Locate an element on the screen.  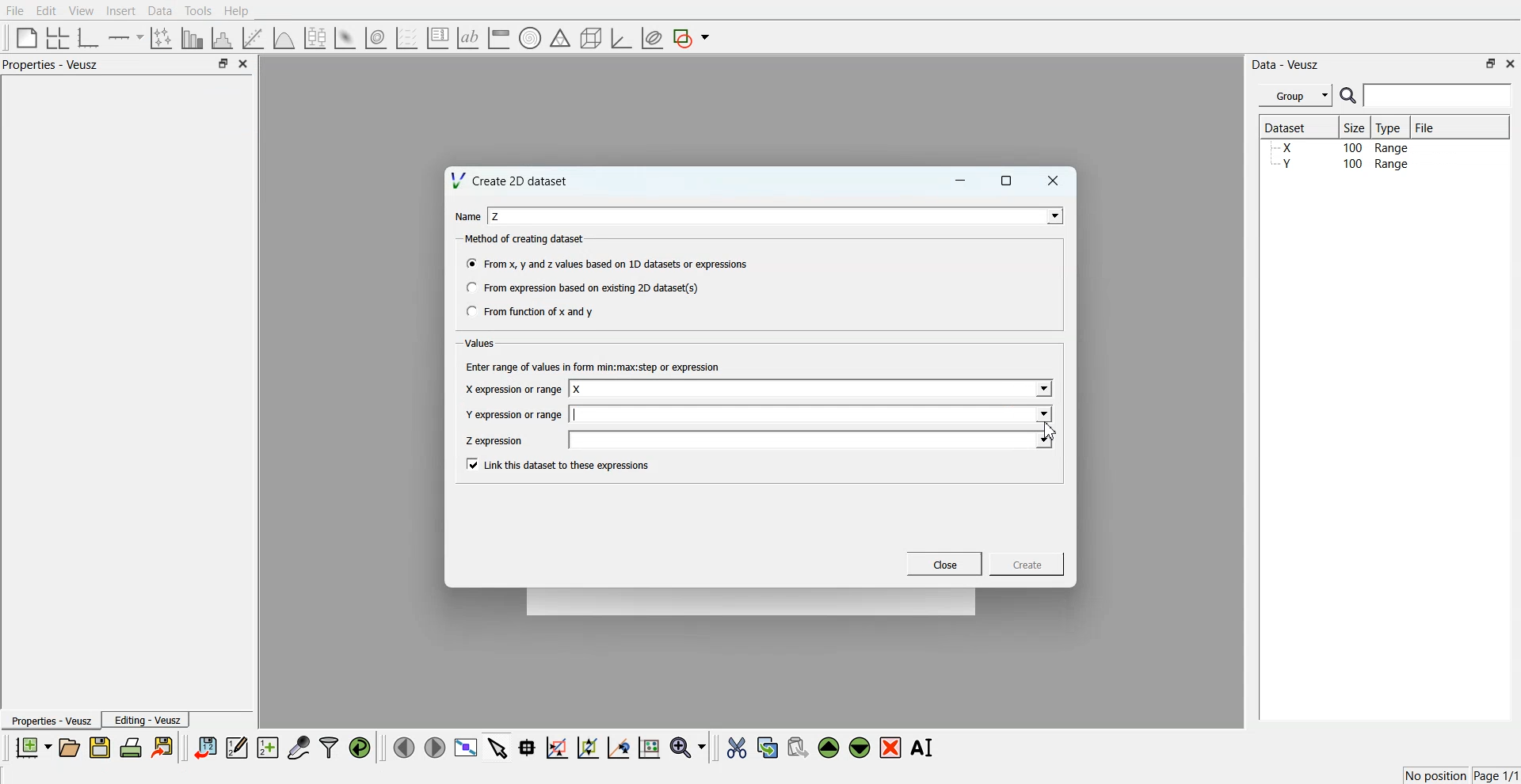
Print the document is located at coordinates (130, 747).